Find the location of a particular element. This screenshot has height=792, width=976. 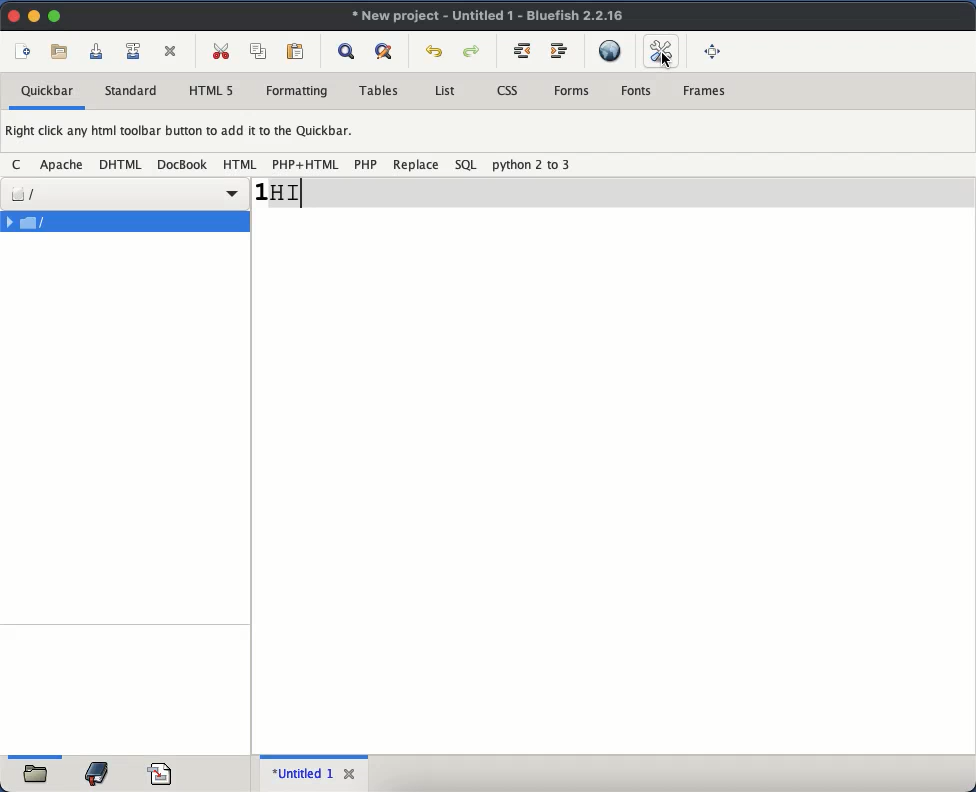

redo is located at coordinates (473, 51).